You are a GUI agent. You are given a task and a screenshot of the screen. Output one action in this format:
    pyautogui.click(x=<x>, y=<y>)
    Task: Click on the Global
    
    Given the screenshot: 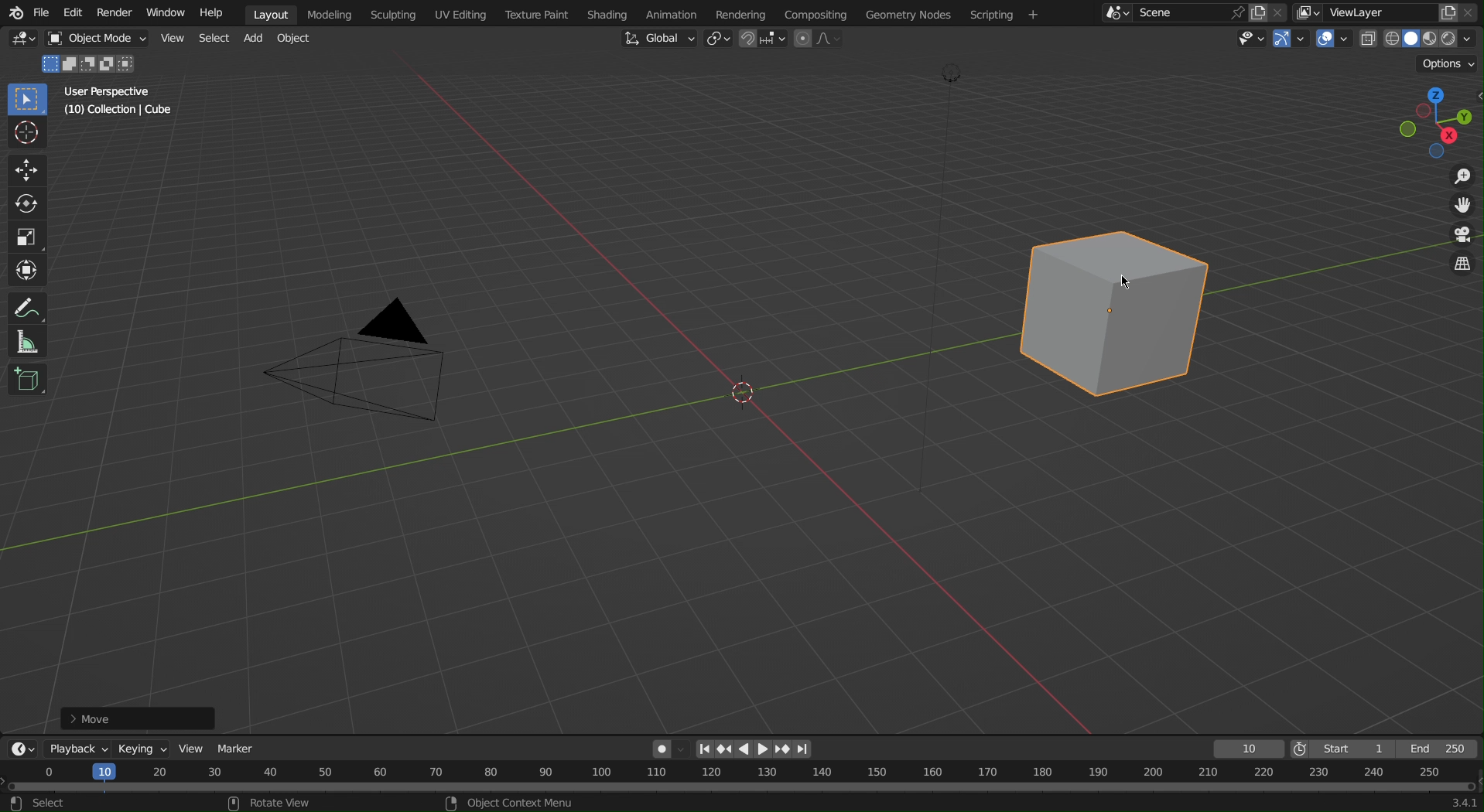 What is the action you would take?
    pyautogui.click(x=658, y=39)
    